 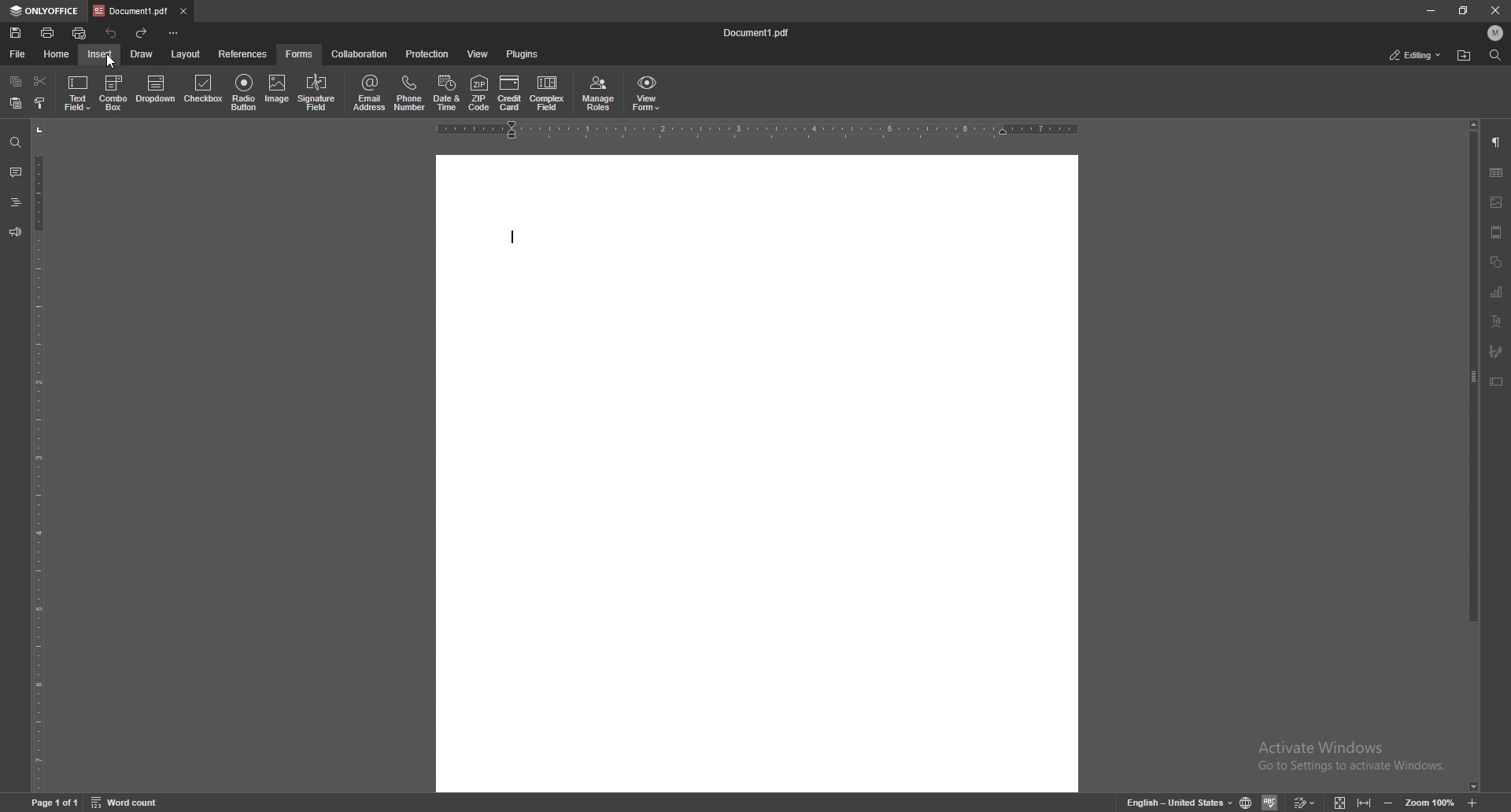 I want to click on manage roles, so click(x=599, y=94).